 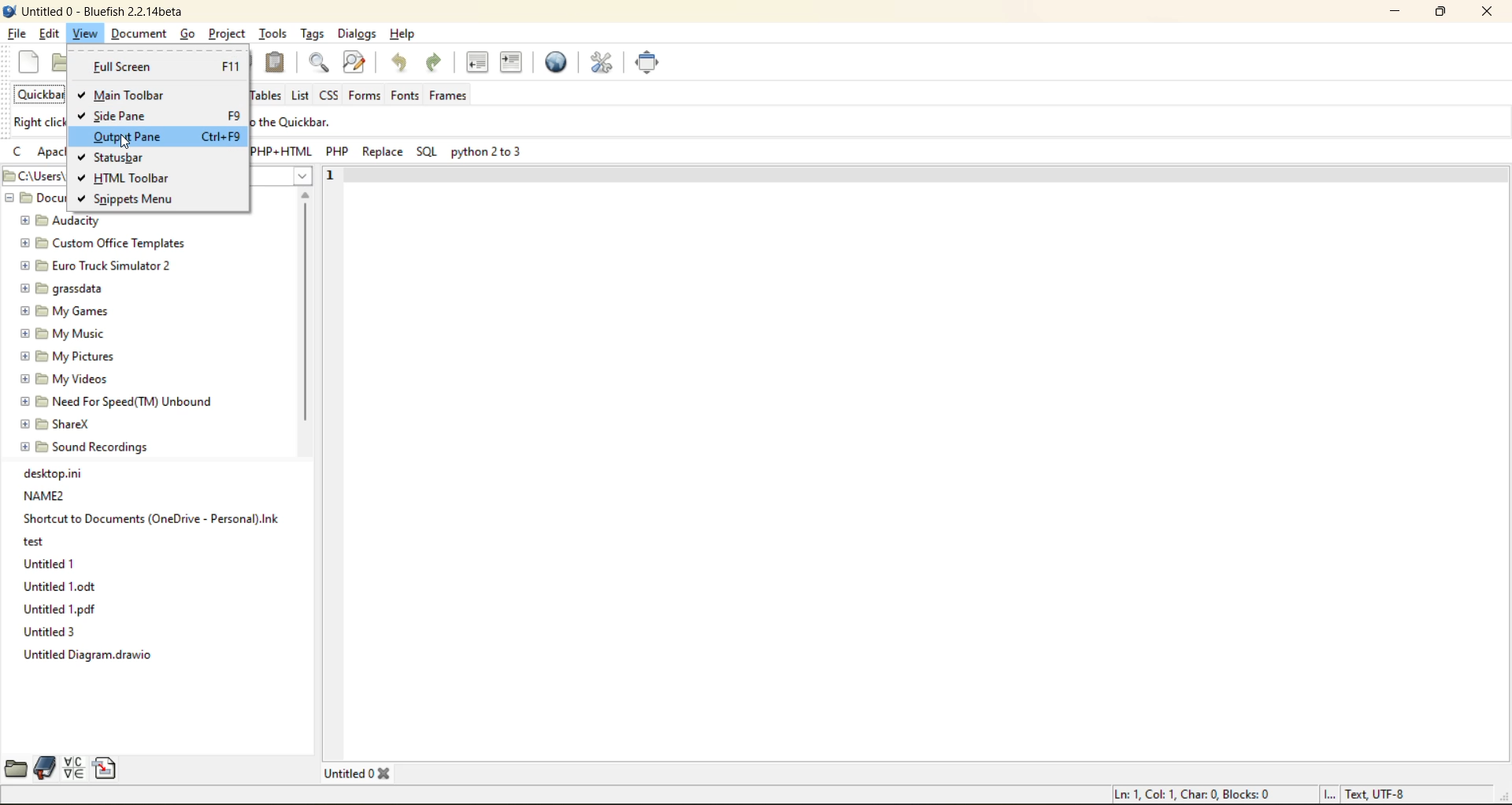 What do you see at coordinates (295, 180) in the screenshot?
I see `show more` at bounding box center [295, 180].